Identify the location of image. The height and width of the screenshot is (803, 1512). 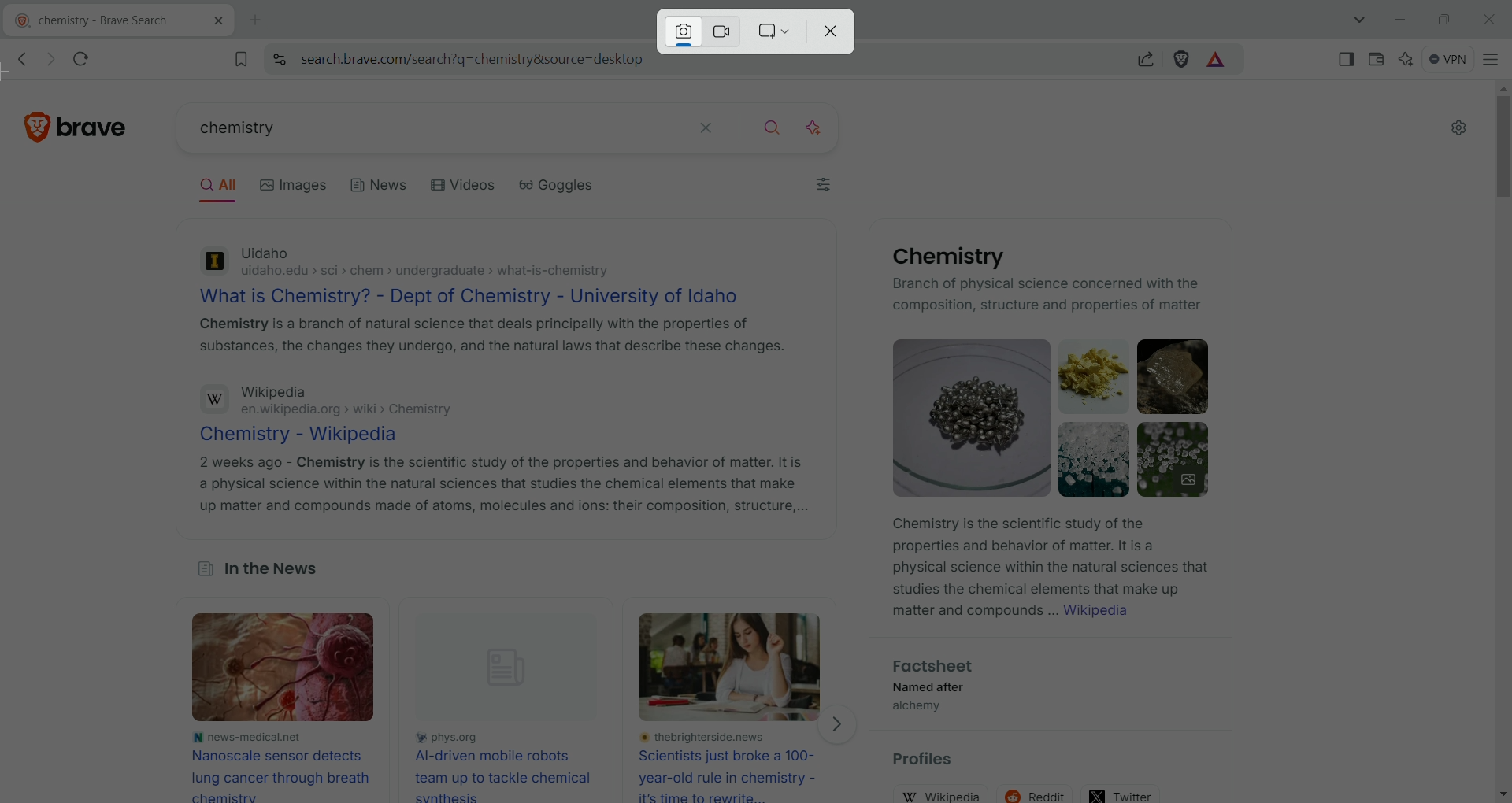
(735, 667).